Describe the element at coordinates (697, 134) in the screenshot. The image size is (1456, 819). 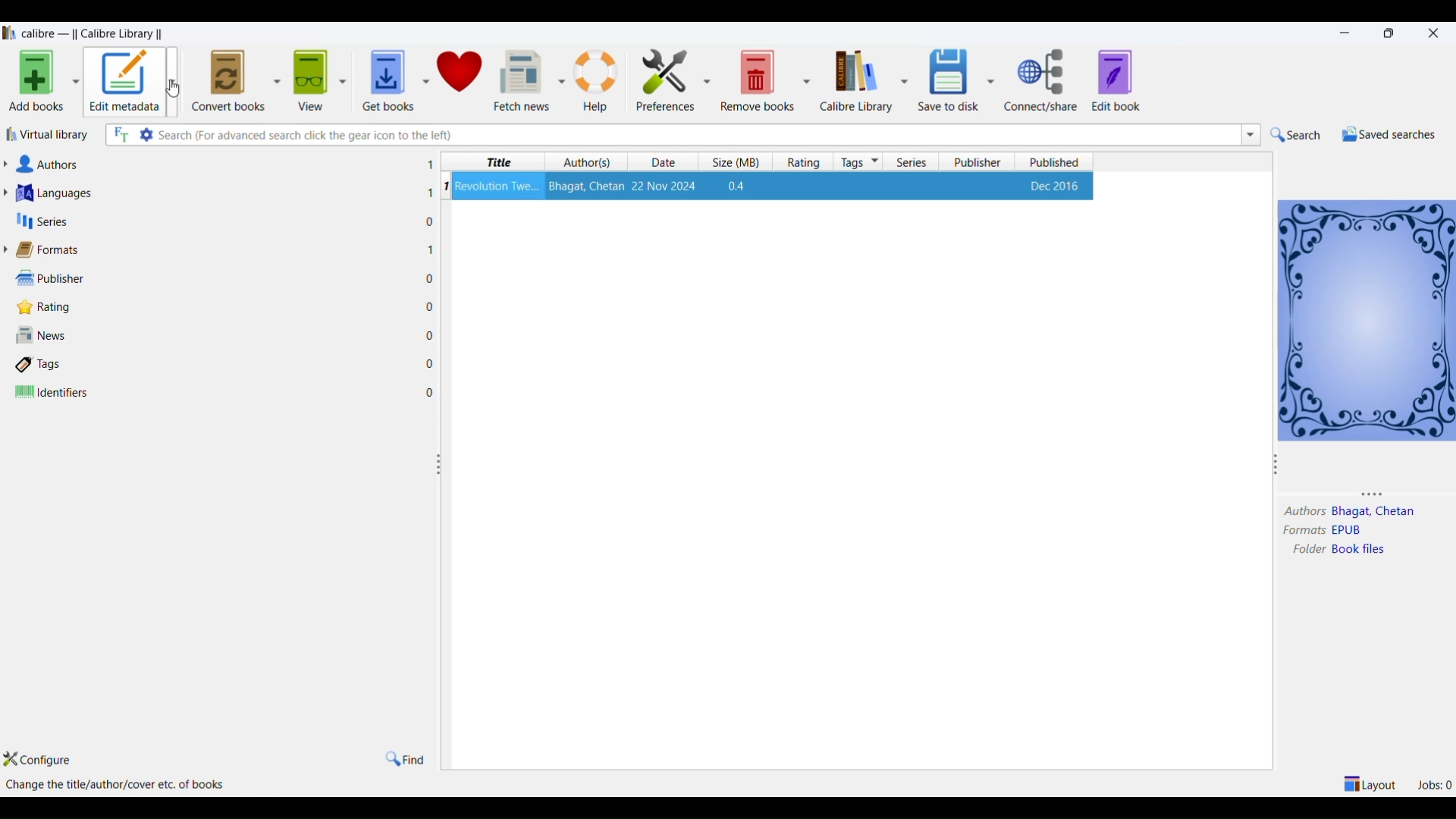
I see `search box ` at that location.